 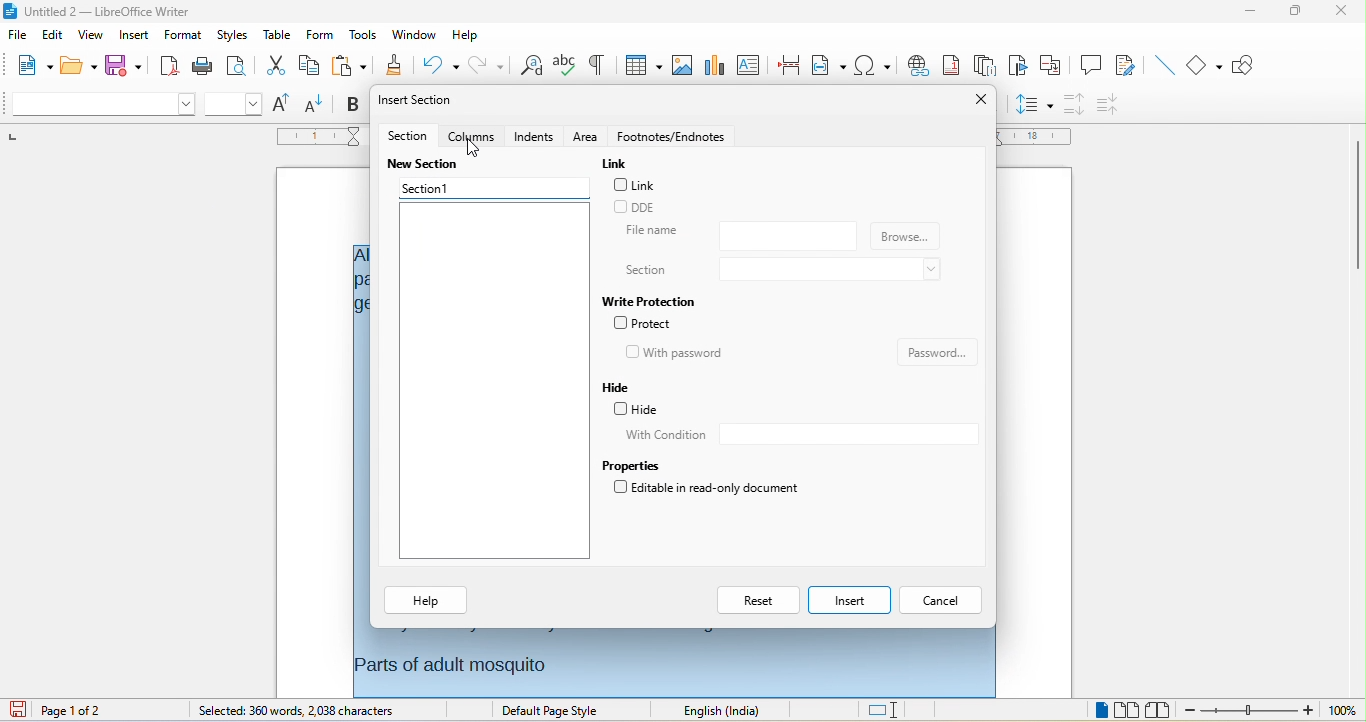 I want to click on protect, so click(x=651, y=323).